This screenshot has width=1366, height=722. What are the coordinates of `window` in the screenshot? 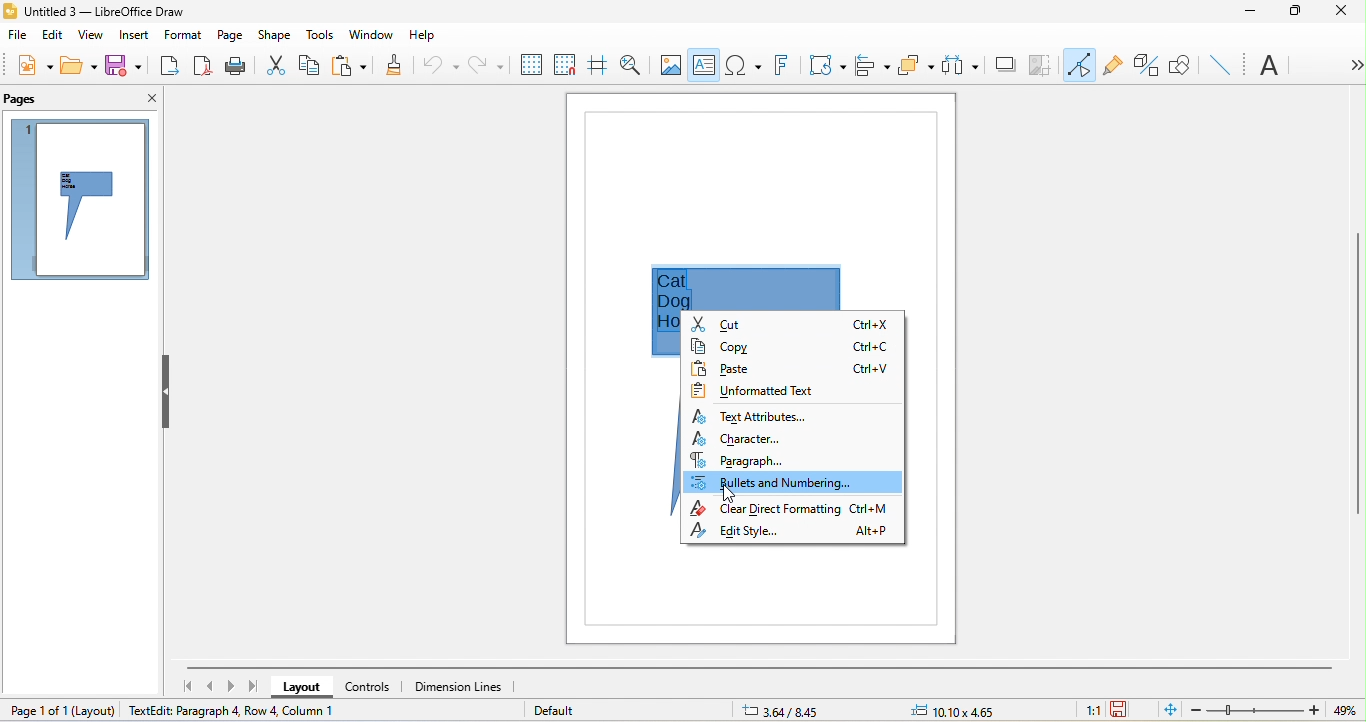 It's located at (375, 34).